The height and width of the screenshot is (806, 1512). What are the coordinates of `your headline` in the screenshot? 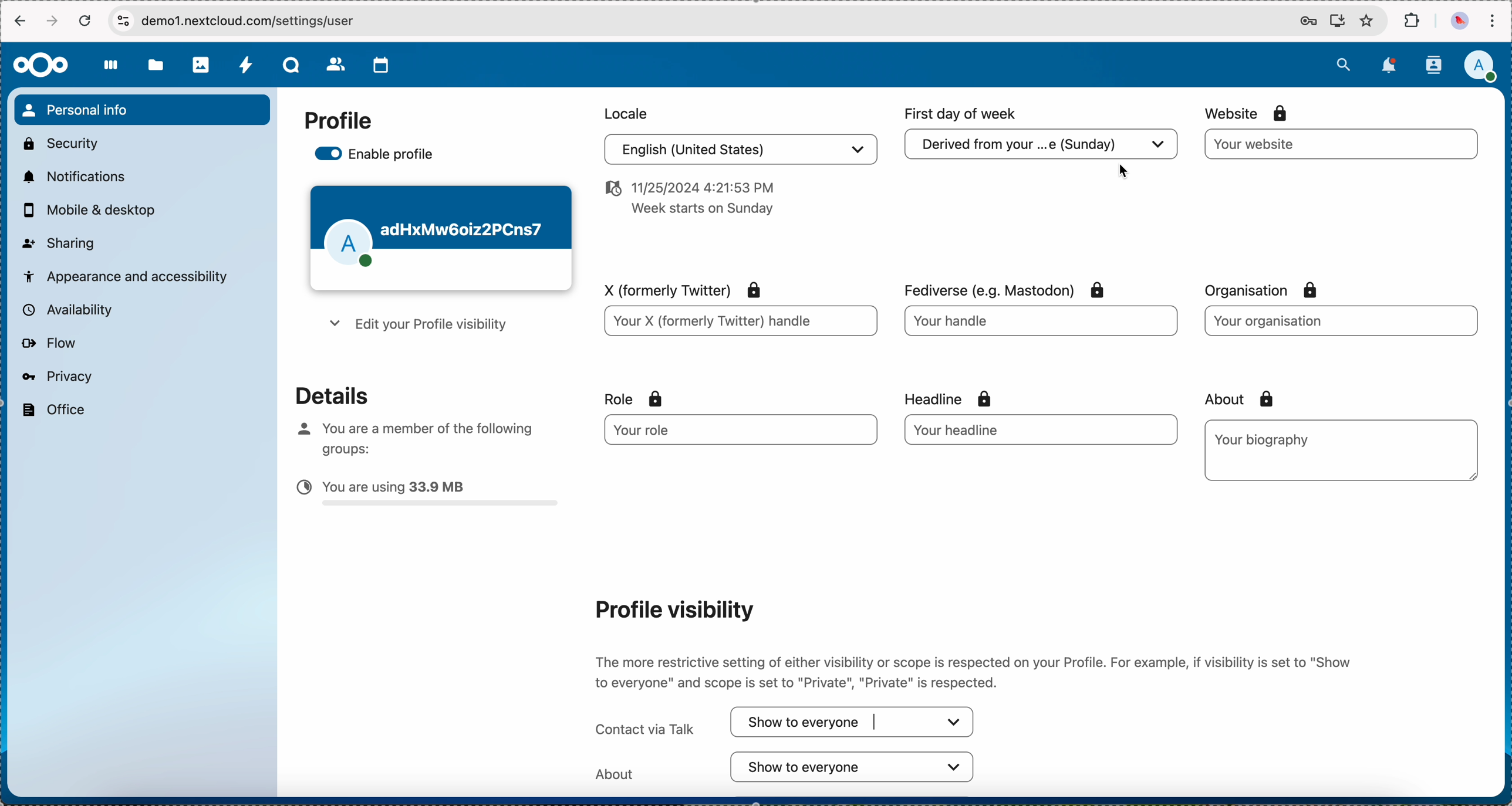 It's located at (1005, 429).